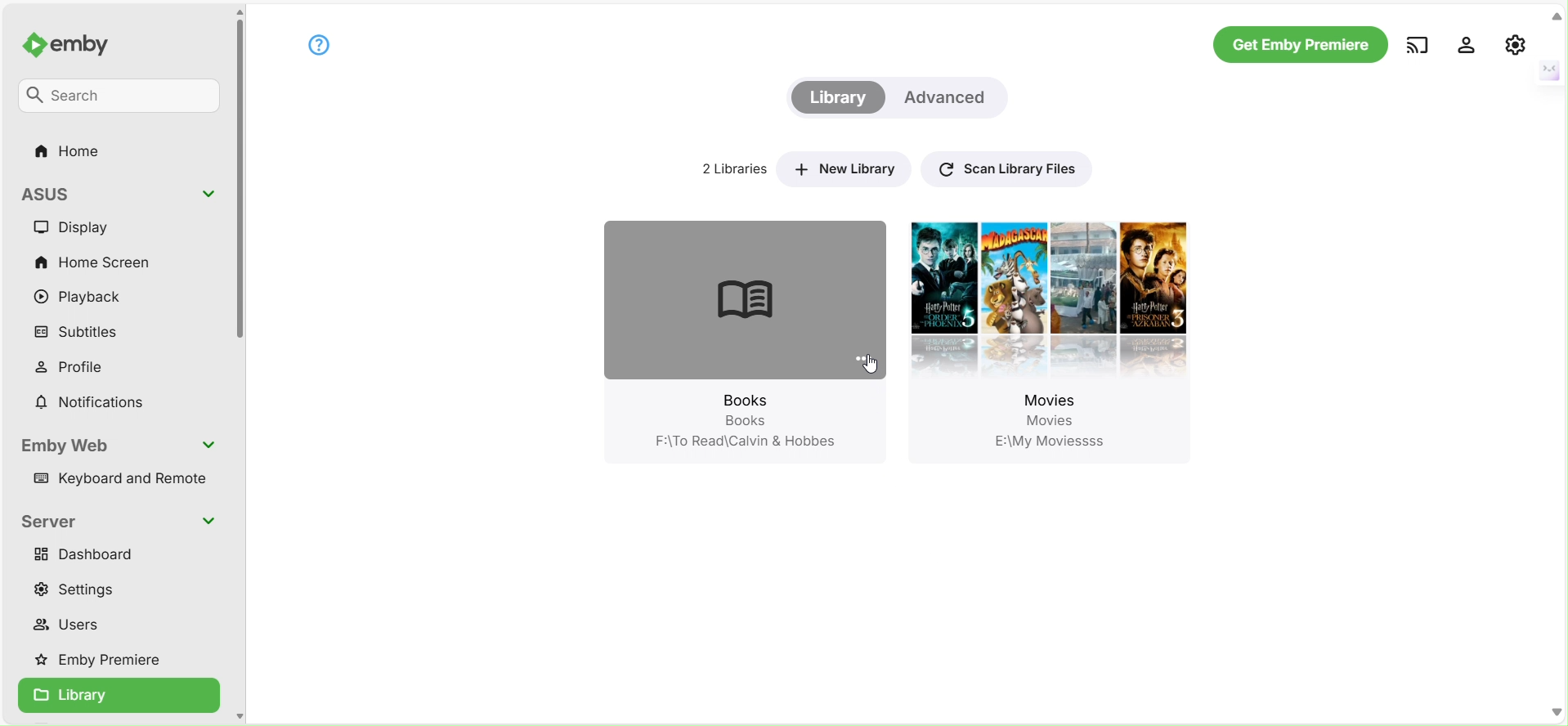 The width and height of the screenshot is (1568, 726). Describe the element at coordinates (74, 627) in the screenshot. I see `Users` at that location.